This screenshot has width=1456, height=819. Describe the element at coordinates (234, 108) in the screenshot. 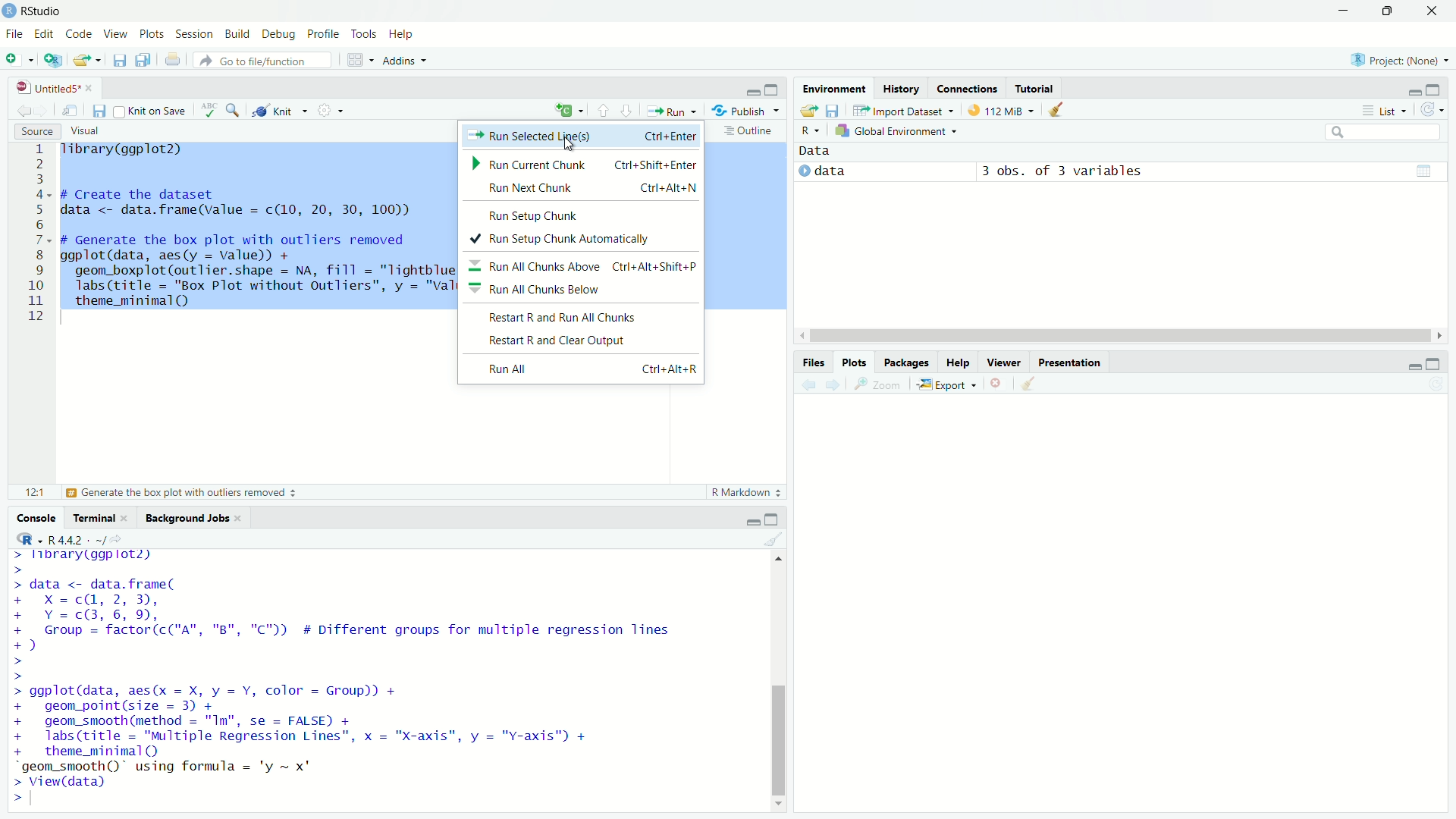

I see `zoom` at that location.